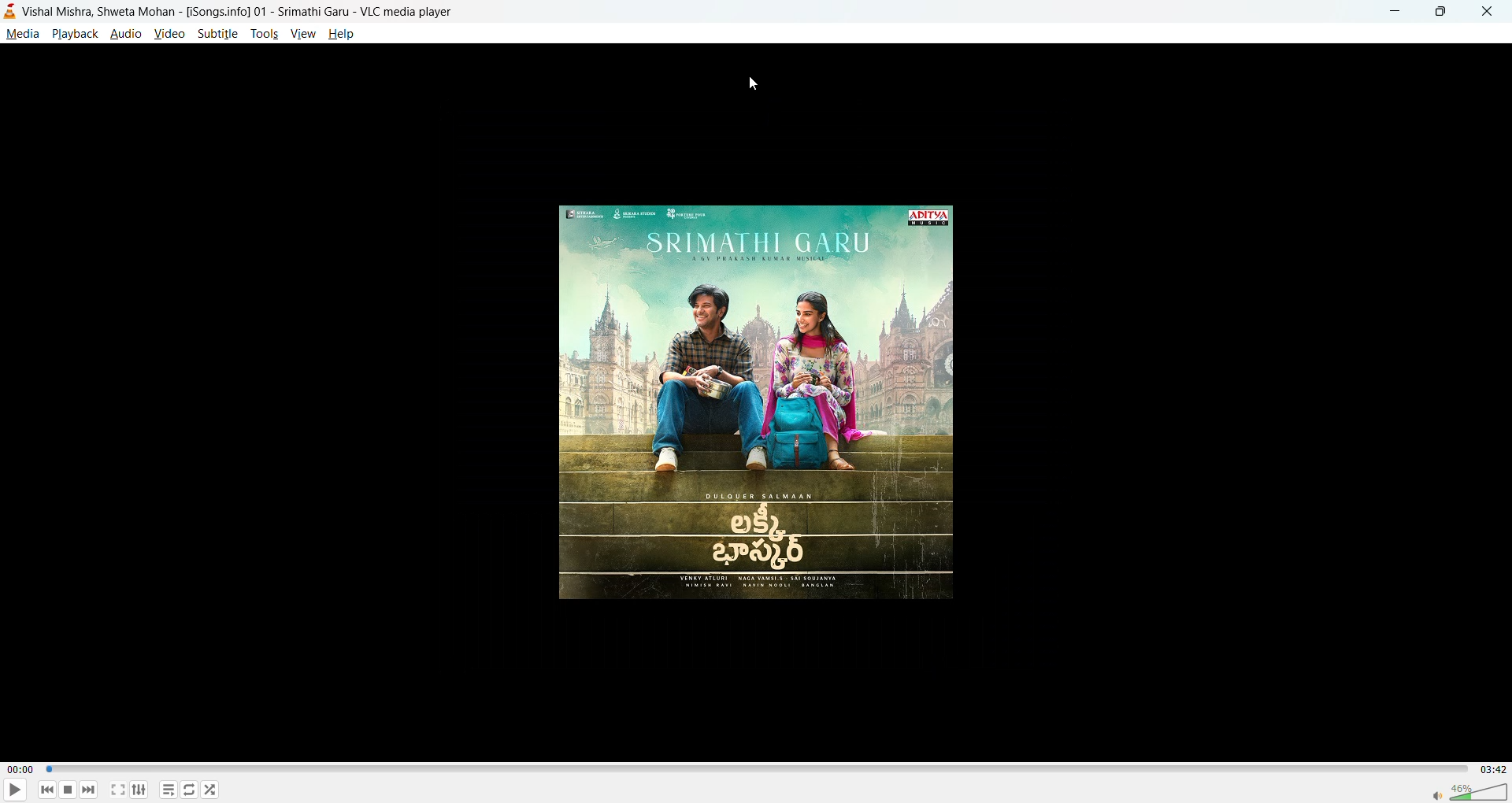 This screenshot has height=803, width=1512. Describe the element at coordinates (74, 33) in the screenshot. I see `playback` at that location.